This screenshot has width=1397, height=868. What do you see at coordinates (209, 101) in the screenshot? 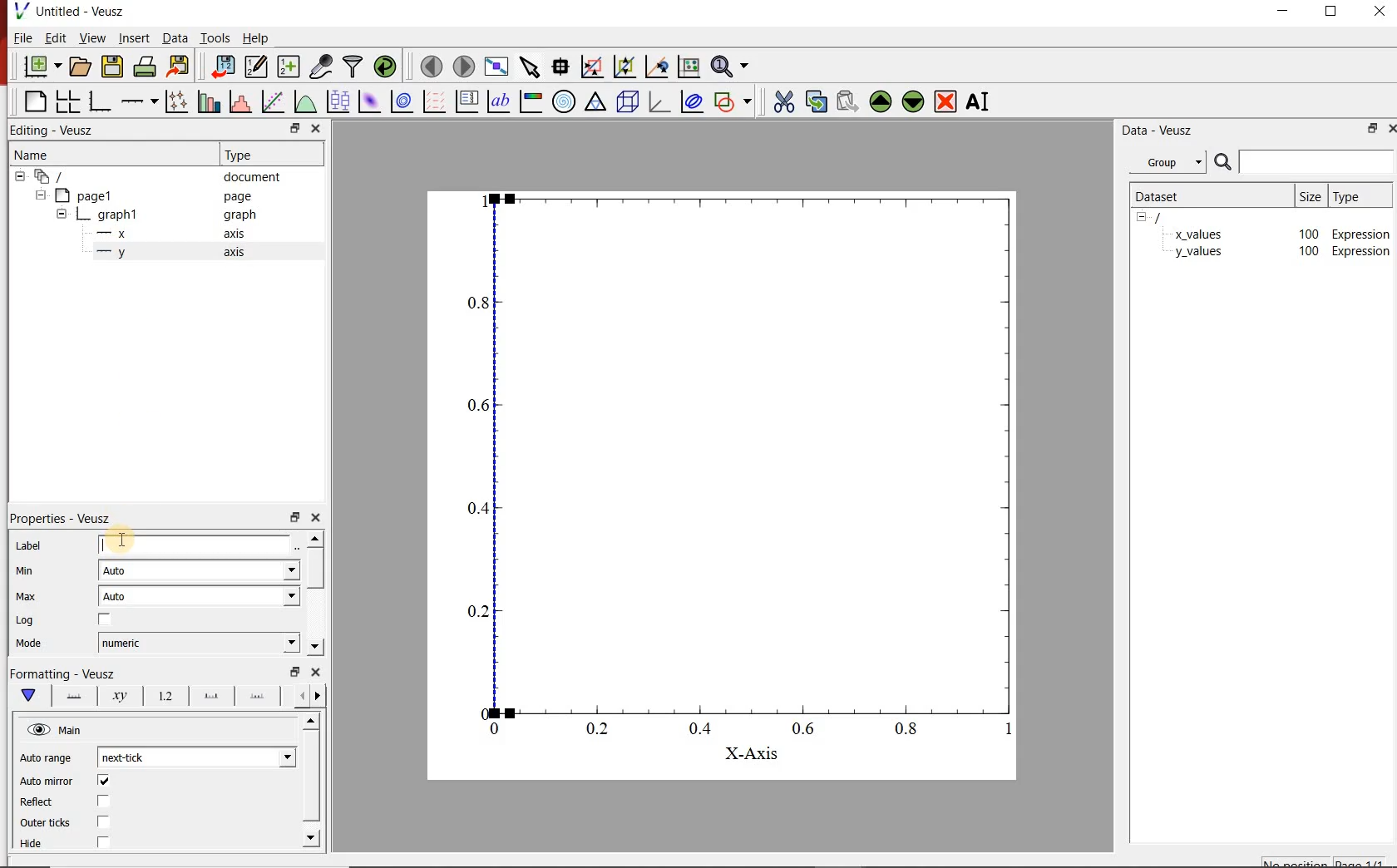
I see `plot bar charts` at bounding box center [209, 101].